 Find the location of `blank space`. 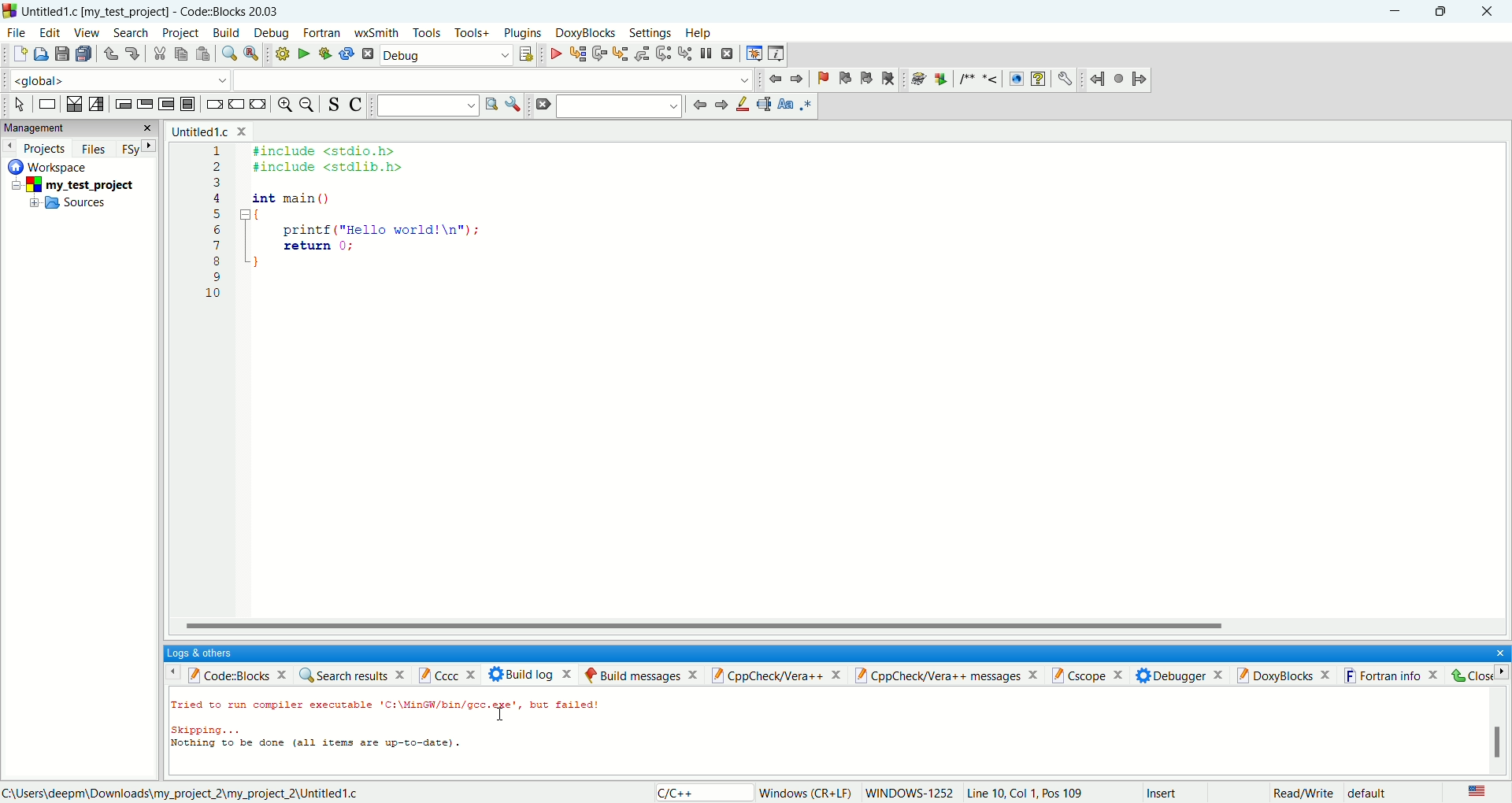

blank space is located at coordinates (495, 79).